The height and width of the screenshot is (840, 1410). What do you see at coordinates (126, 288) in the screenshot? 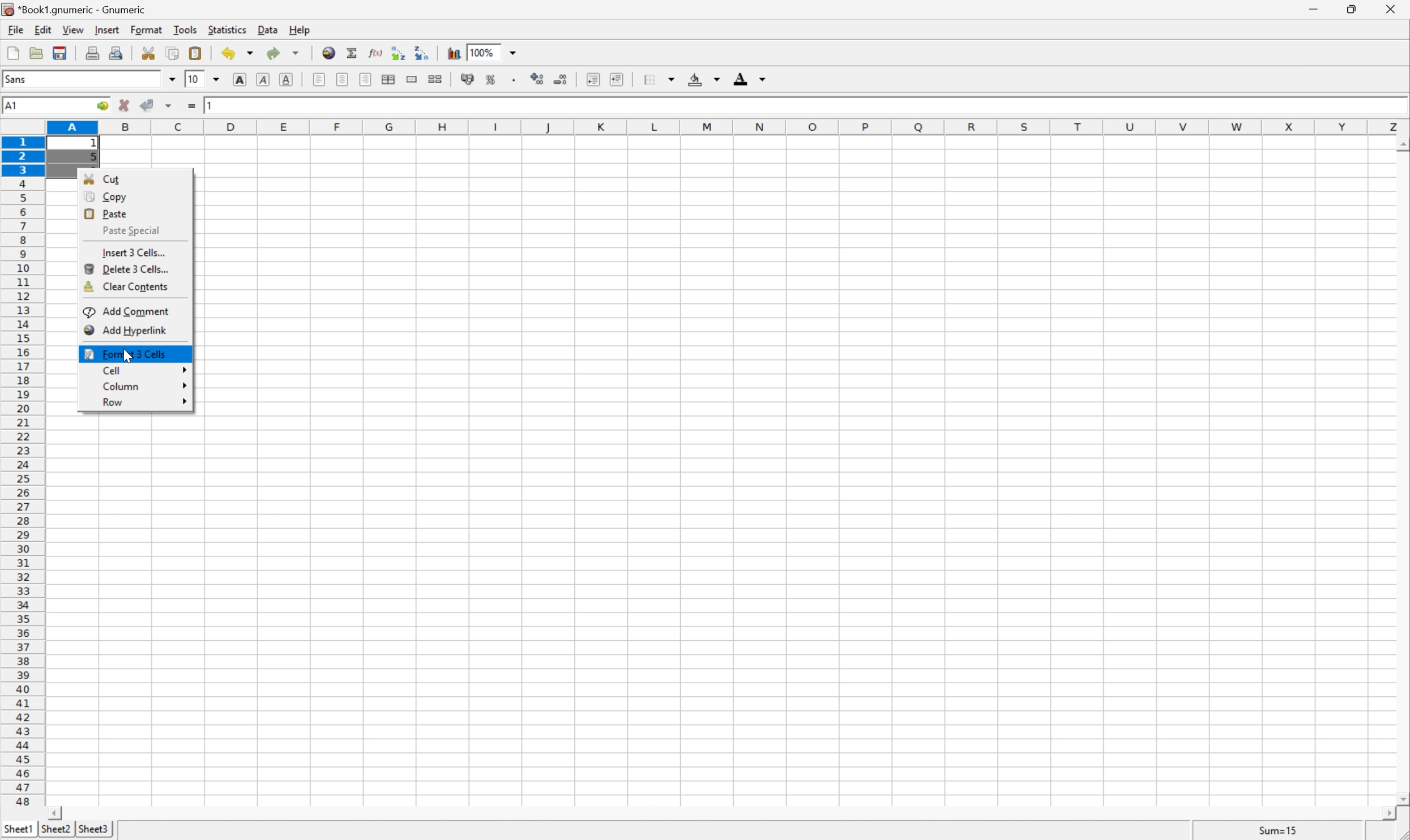
I see `clear contents` at bounding box center [126, 288].